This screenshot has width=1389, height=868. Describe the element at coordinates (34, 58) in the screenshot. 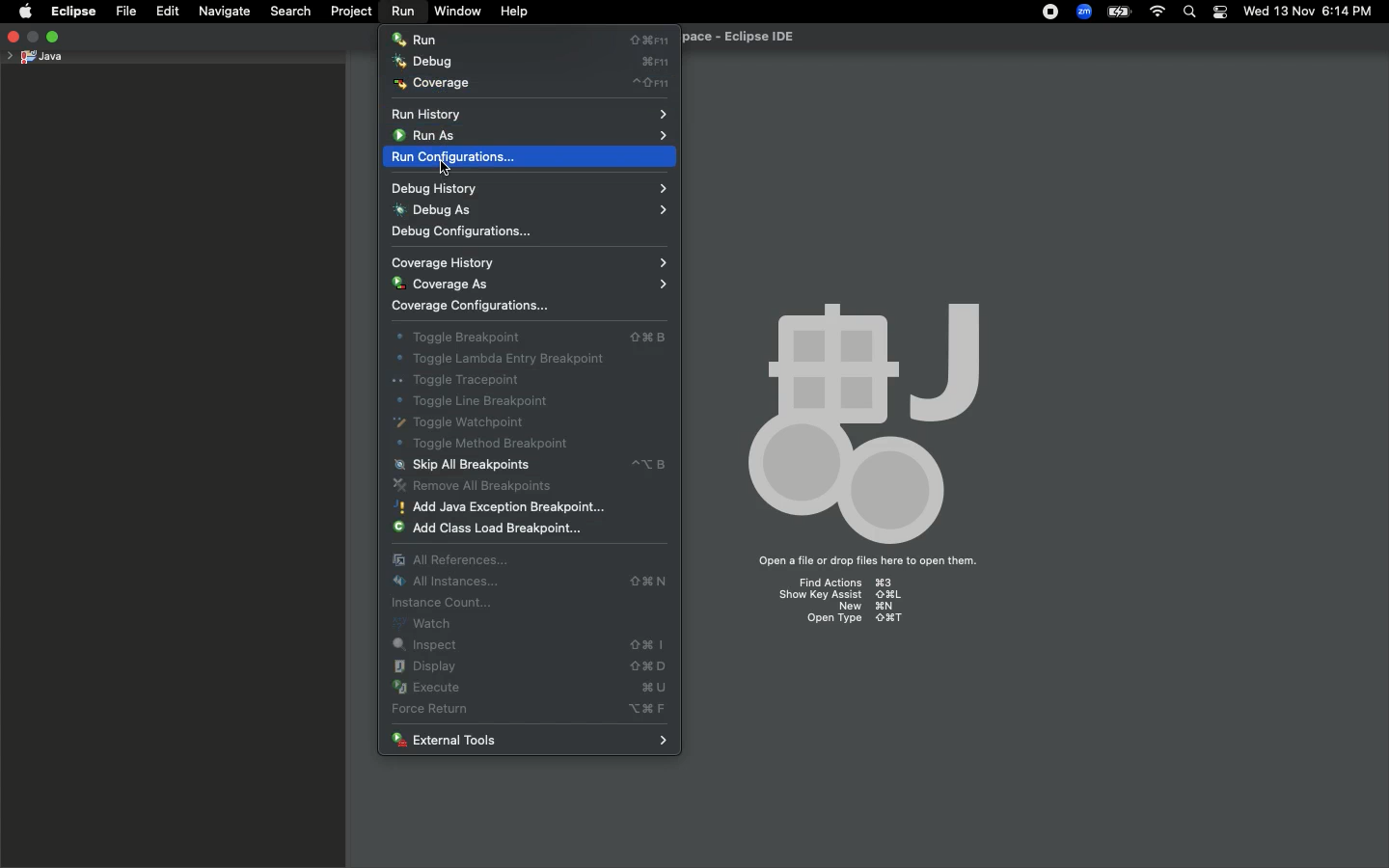

I see `Java project` at that location.